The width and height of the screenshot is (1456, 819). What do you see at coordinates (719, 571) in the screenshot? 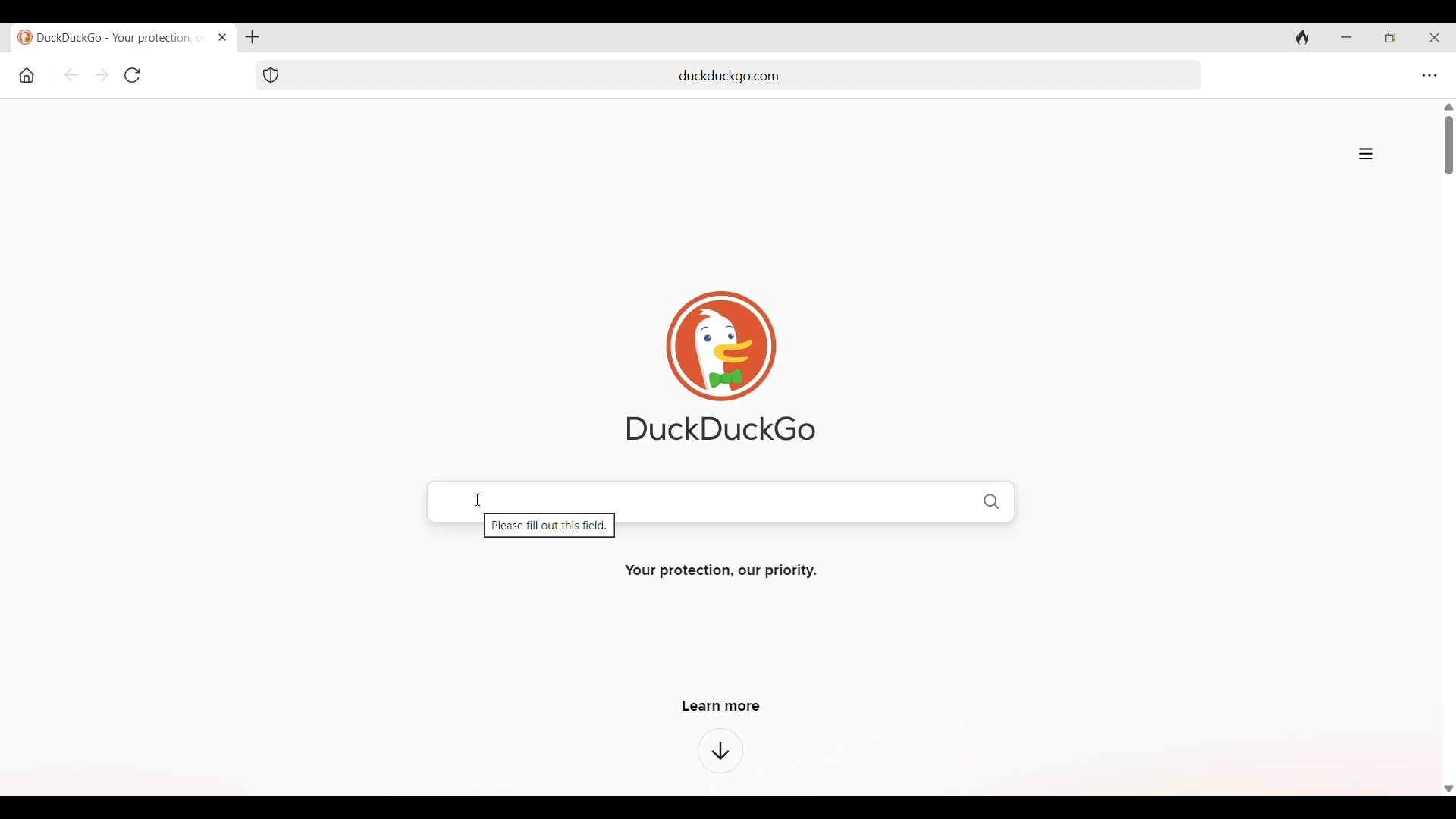
I see `Your protection, our priority.` at bounding box center [719, 571].